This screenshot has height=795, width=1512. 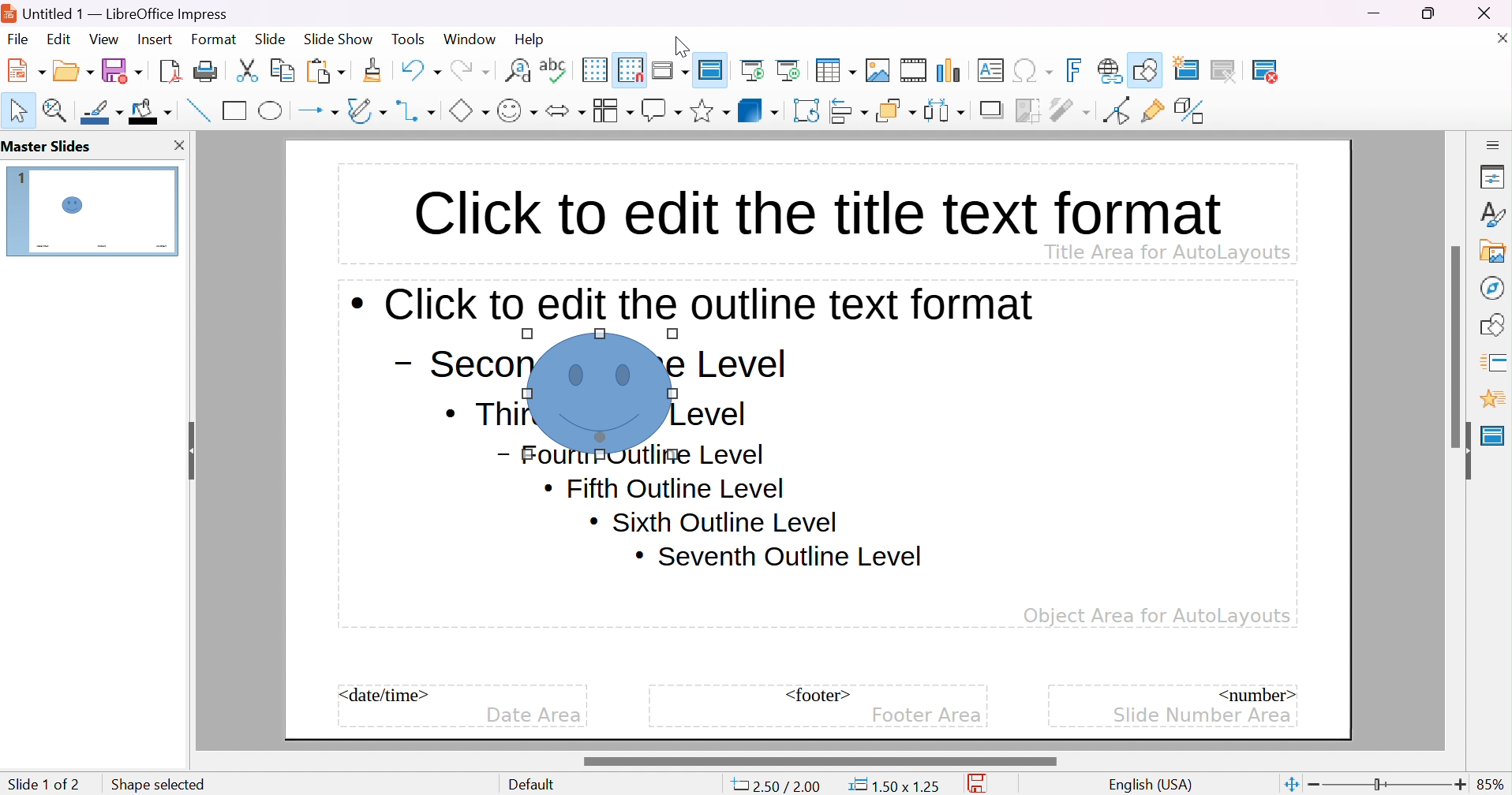 What do you see at coordinates (994, 111) in the screenshot?
I see `shadow` at bounding box center [994, 111].